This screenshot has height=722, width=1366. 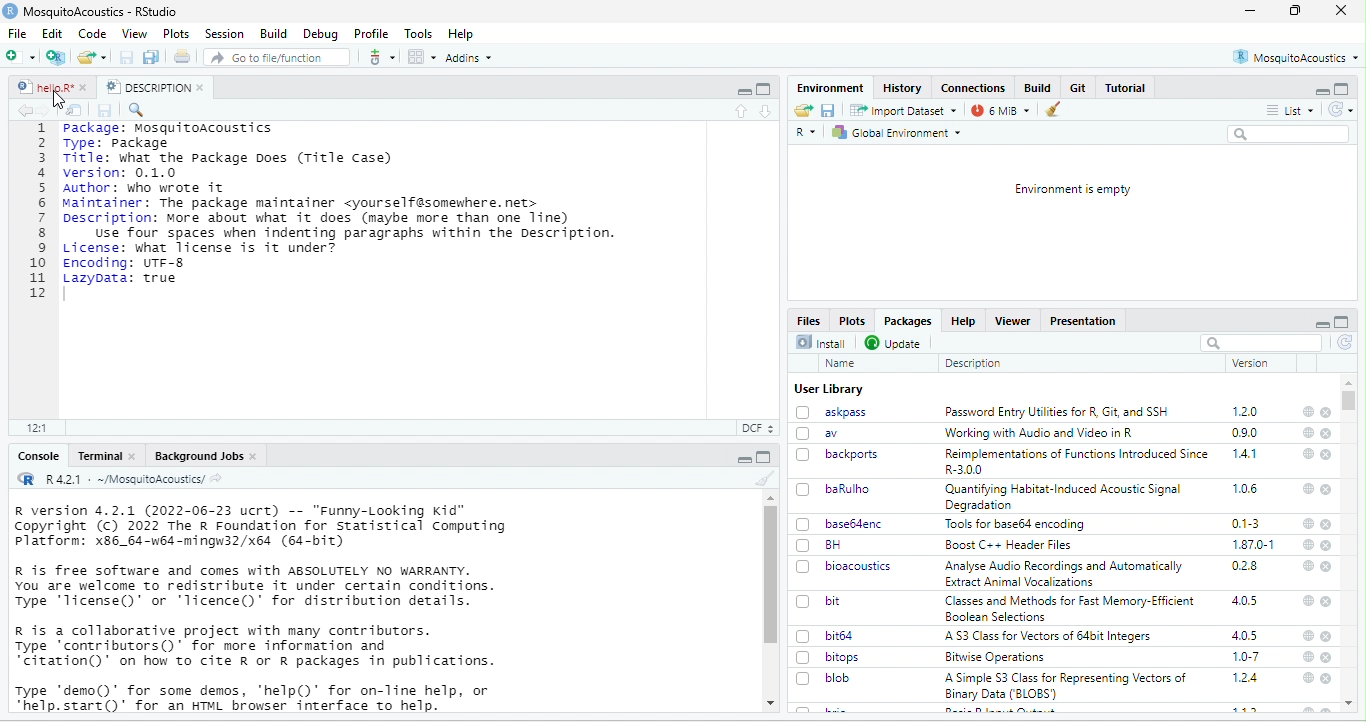 I want to click on scroll down, so click(x=768, y=704).